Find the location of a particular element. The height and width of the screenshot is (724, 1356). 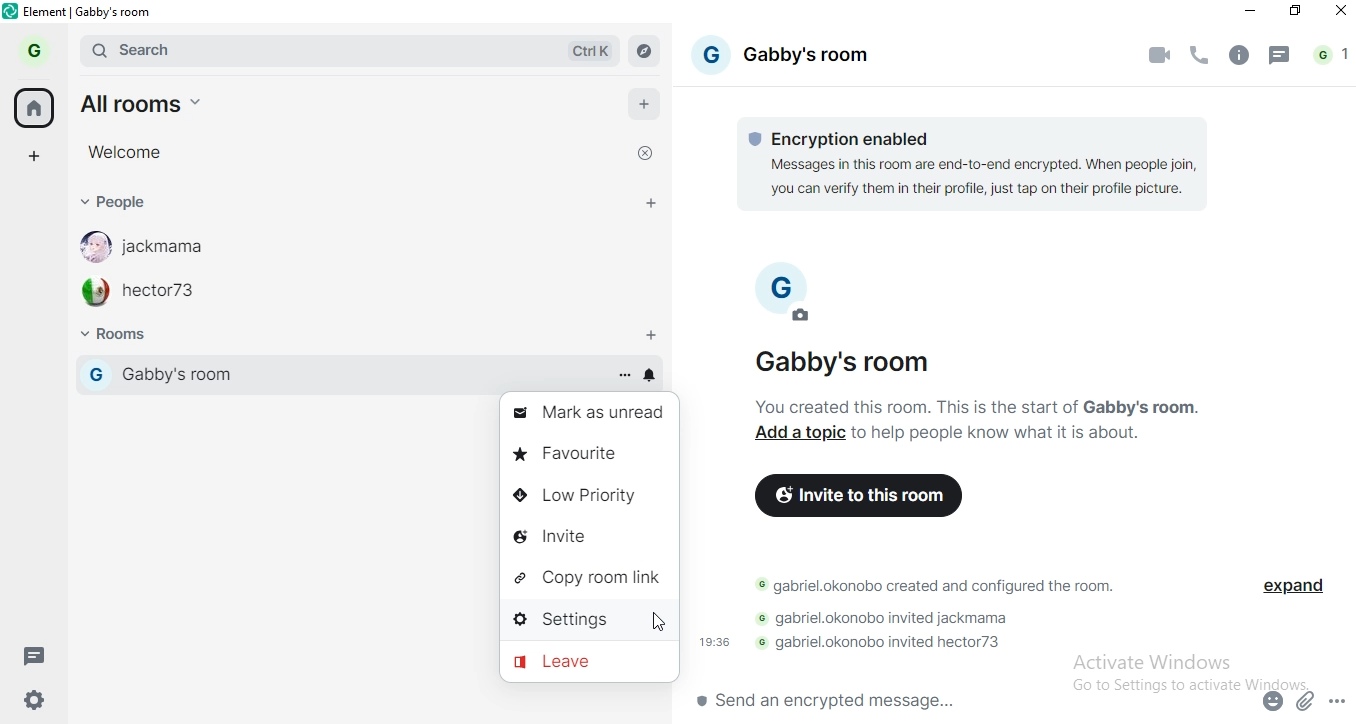

people is located at coordinates (133, 206).